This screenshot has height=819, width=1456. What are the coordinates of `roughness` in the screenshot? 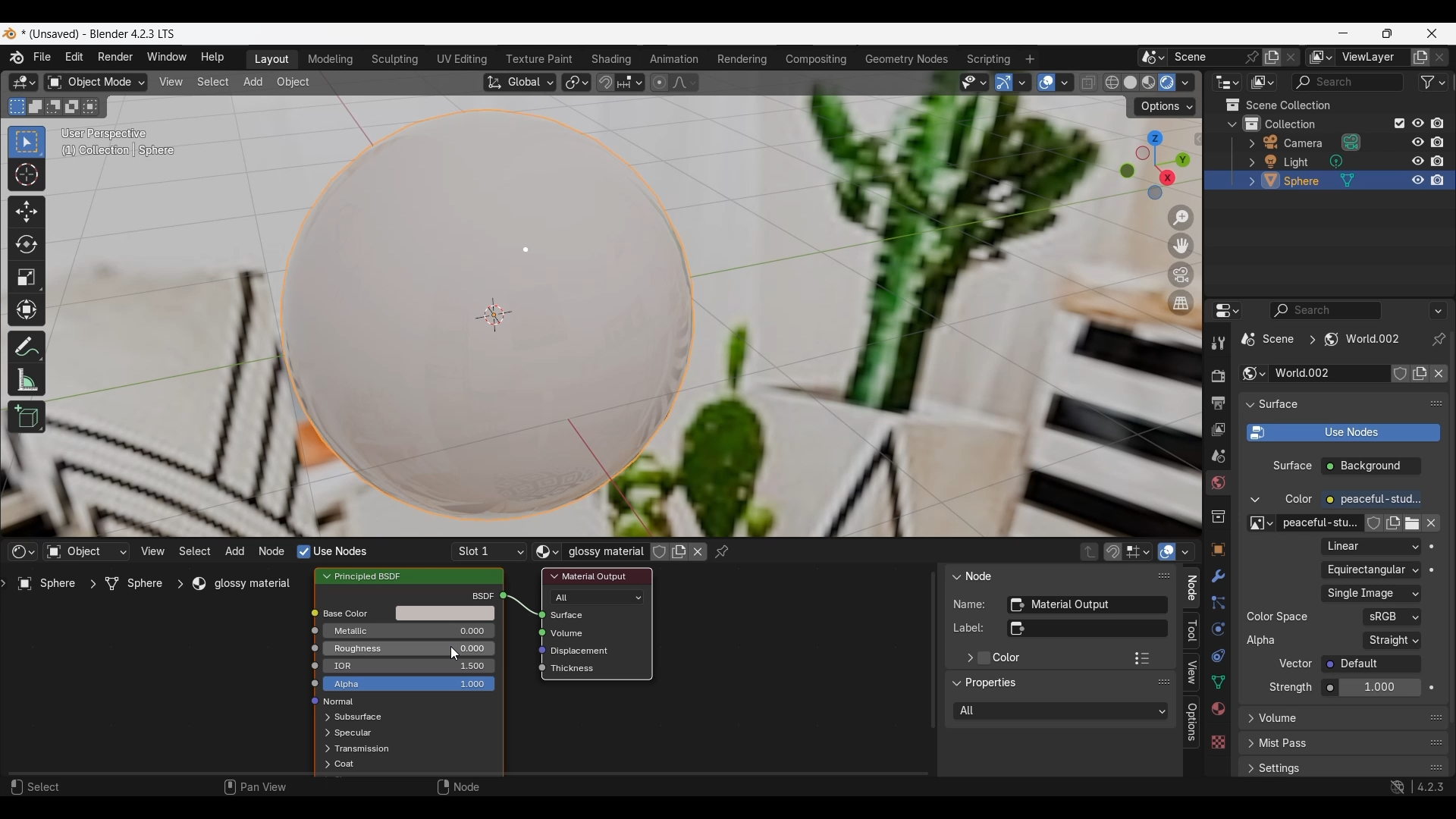 It's located at (380, 648).